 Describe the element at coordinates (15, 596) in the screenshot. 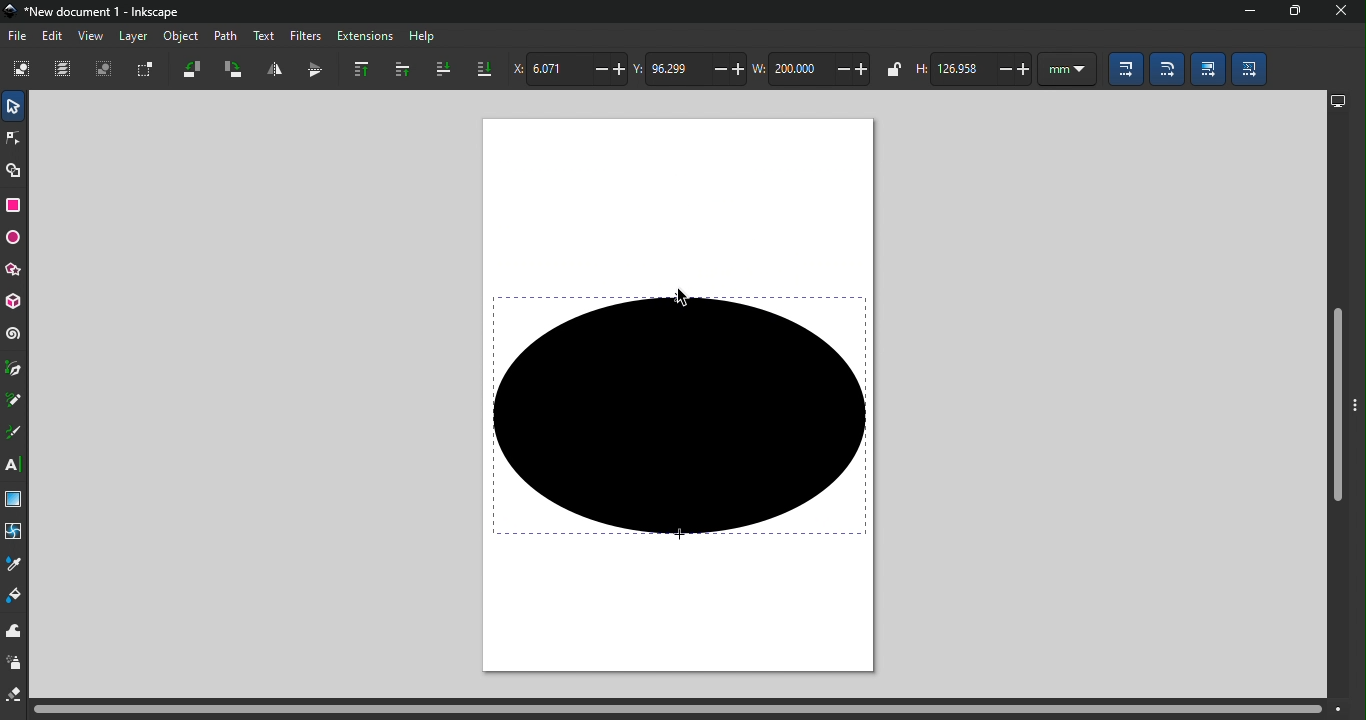

I see `Paint bucket` at that location.